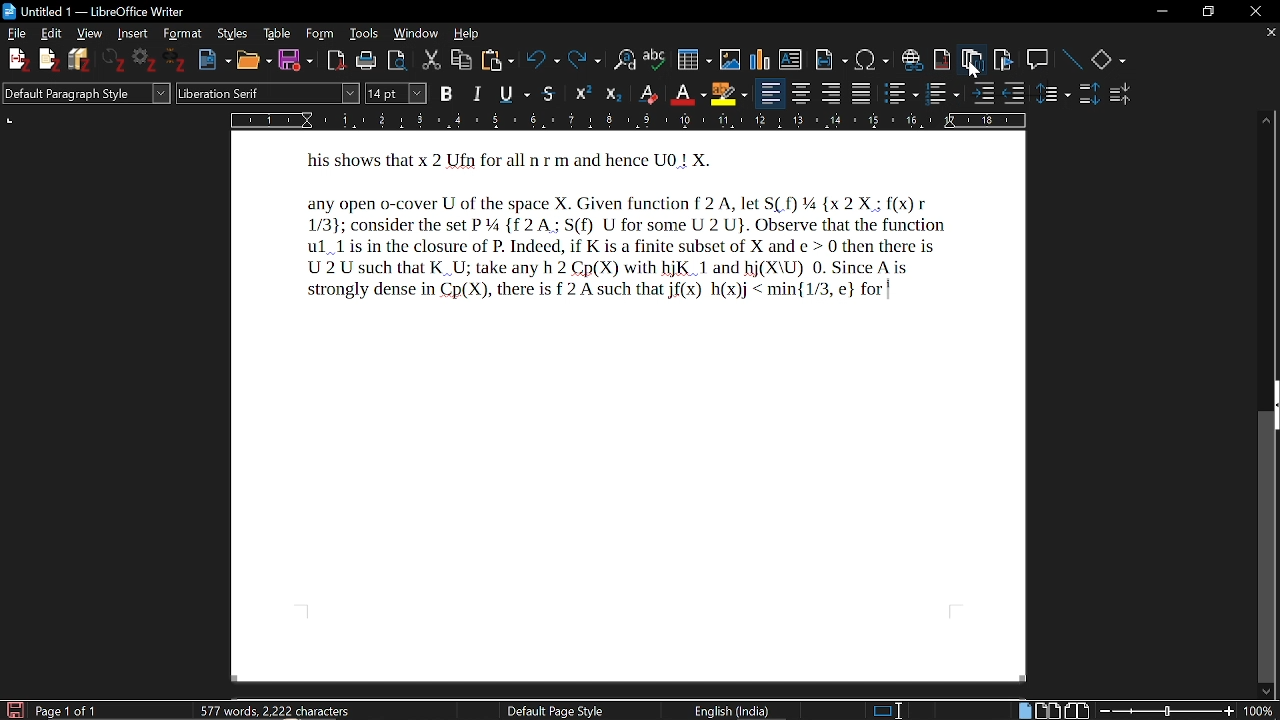  Describe the element at coordinates (730, 60) in the screenshot. I see `Insert Image` at that location.